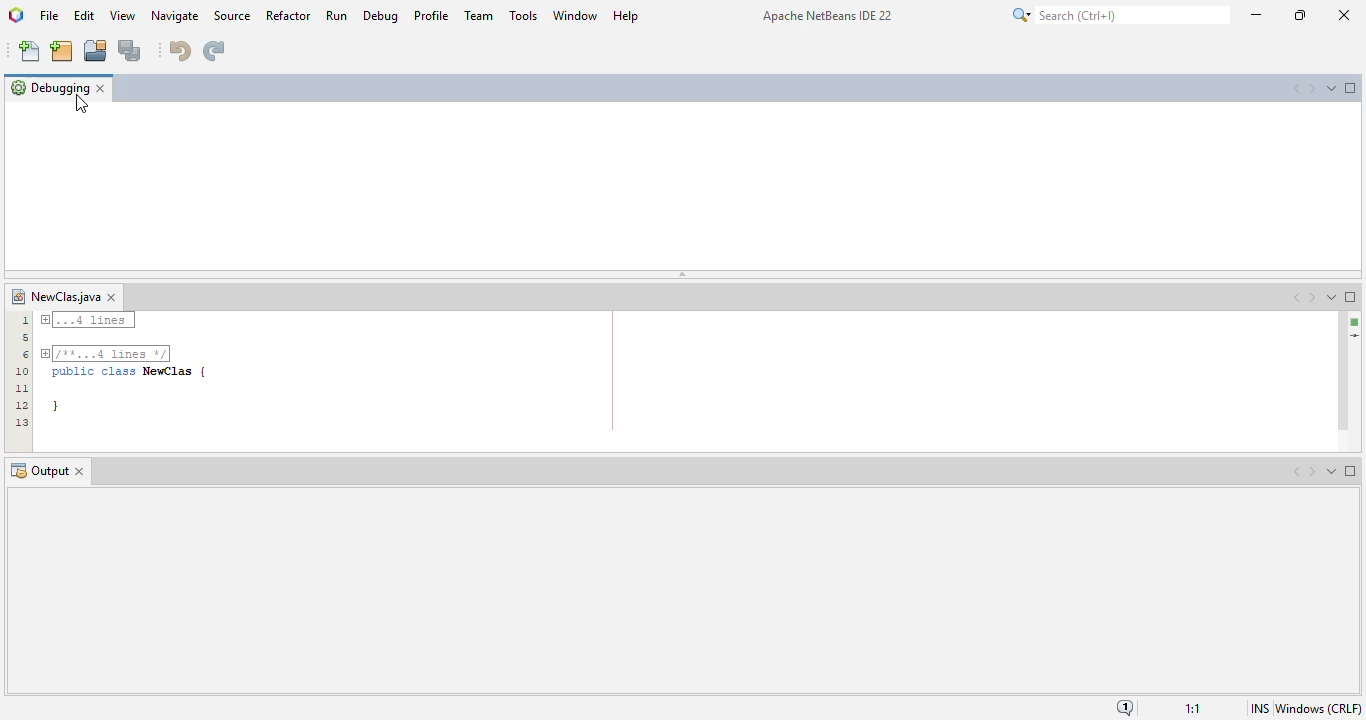  What do you see at coordinates (381, 15) in the screenshot?
I see `debug` at bounding box center [381, 15].